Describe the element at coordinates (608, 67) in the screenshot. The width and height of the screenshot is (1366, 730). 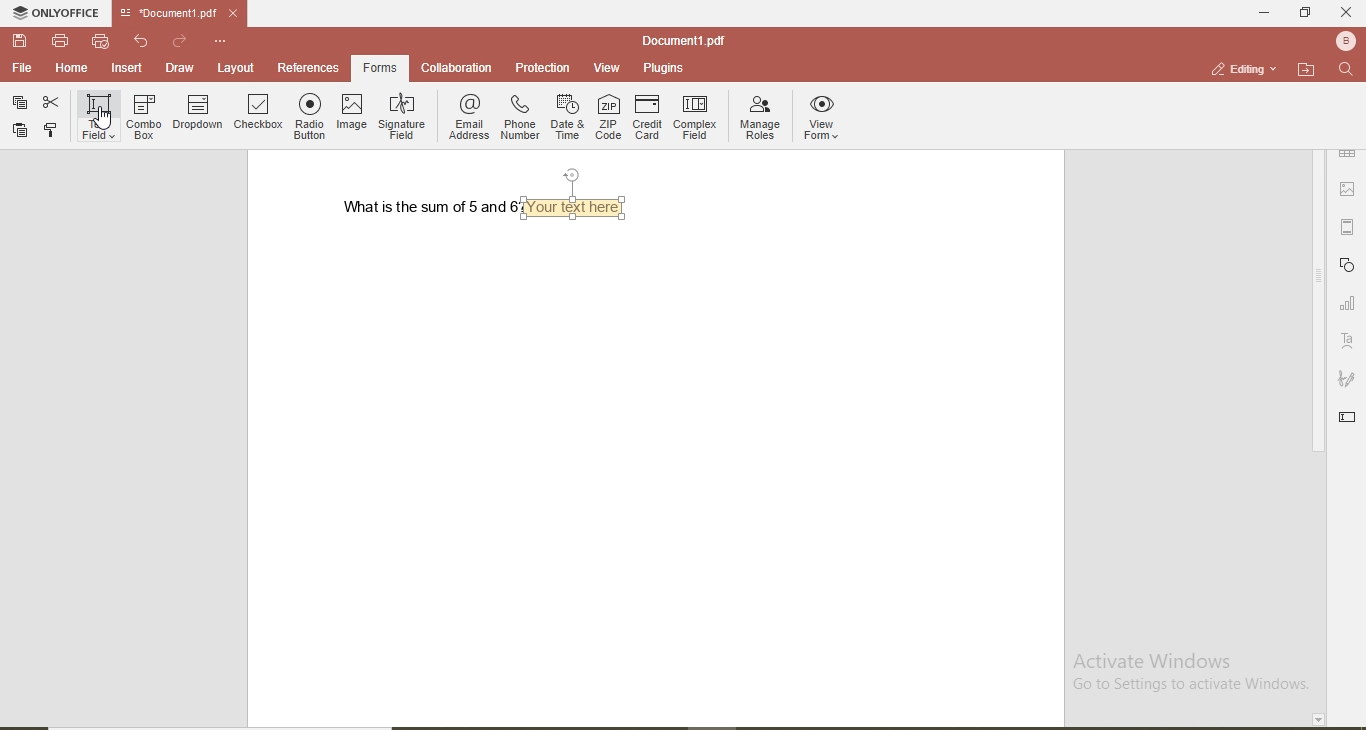
I see `view` at that location.